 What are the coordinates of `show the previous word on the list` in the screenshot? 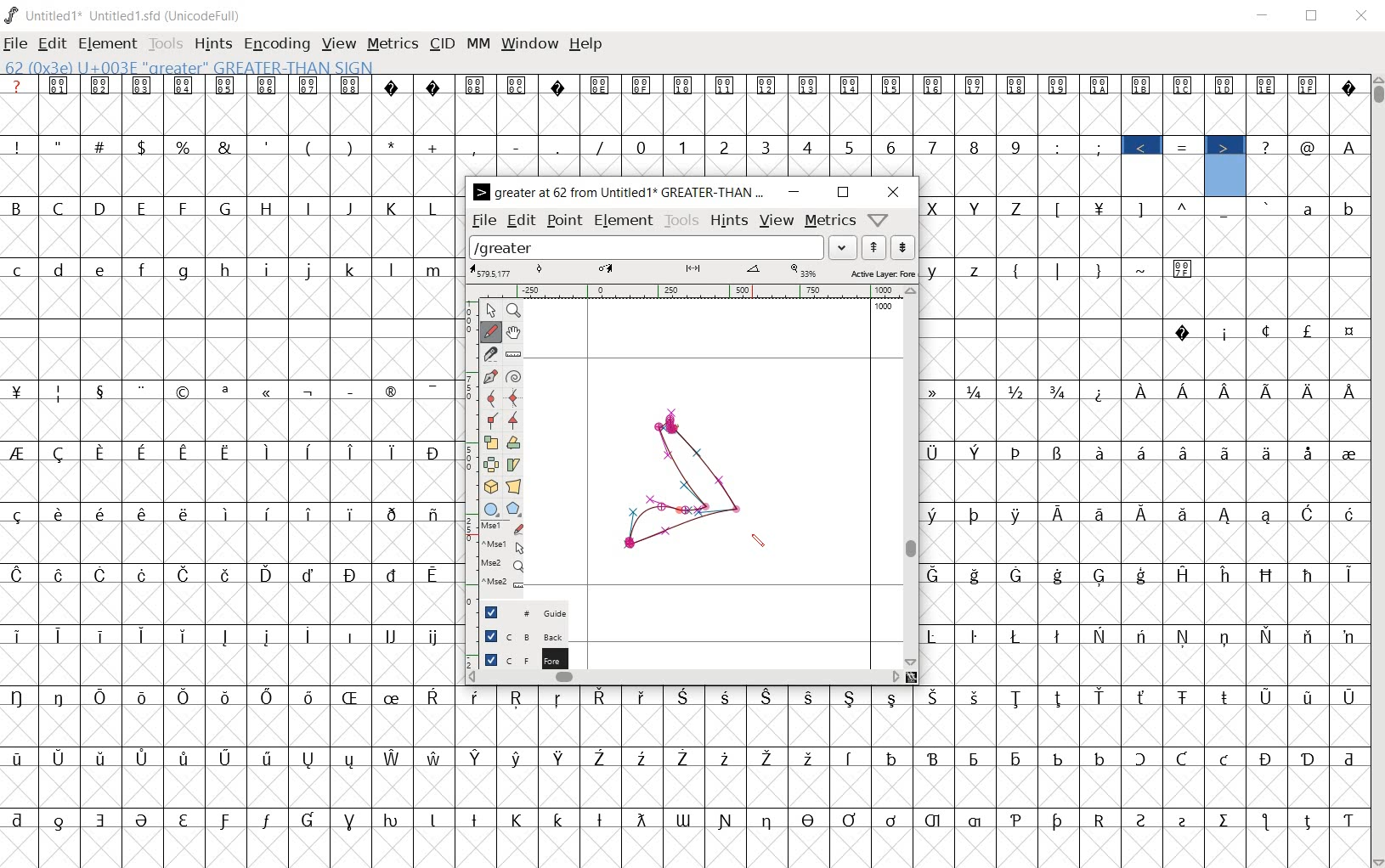 It's located at (903, 247).